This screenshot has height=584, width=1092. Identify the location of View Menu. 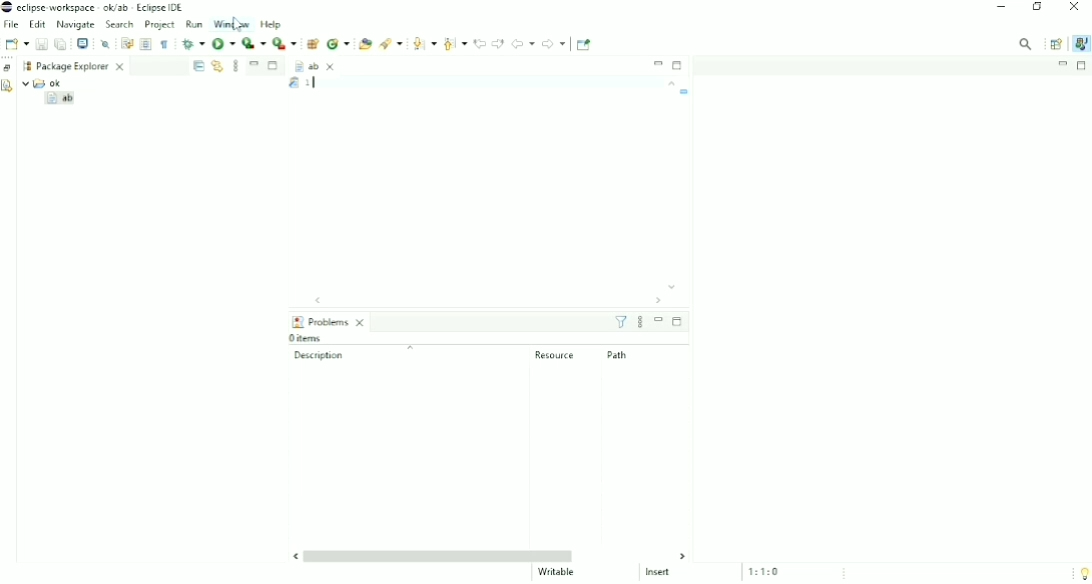
(640, 322).